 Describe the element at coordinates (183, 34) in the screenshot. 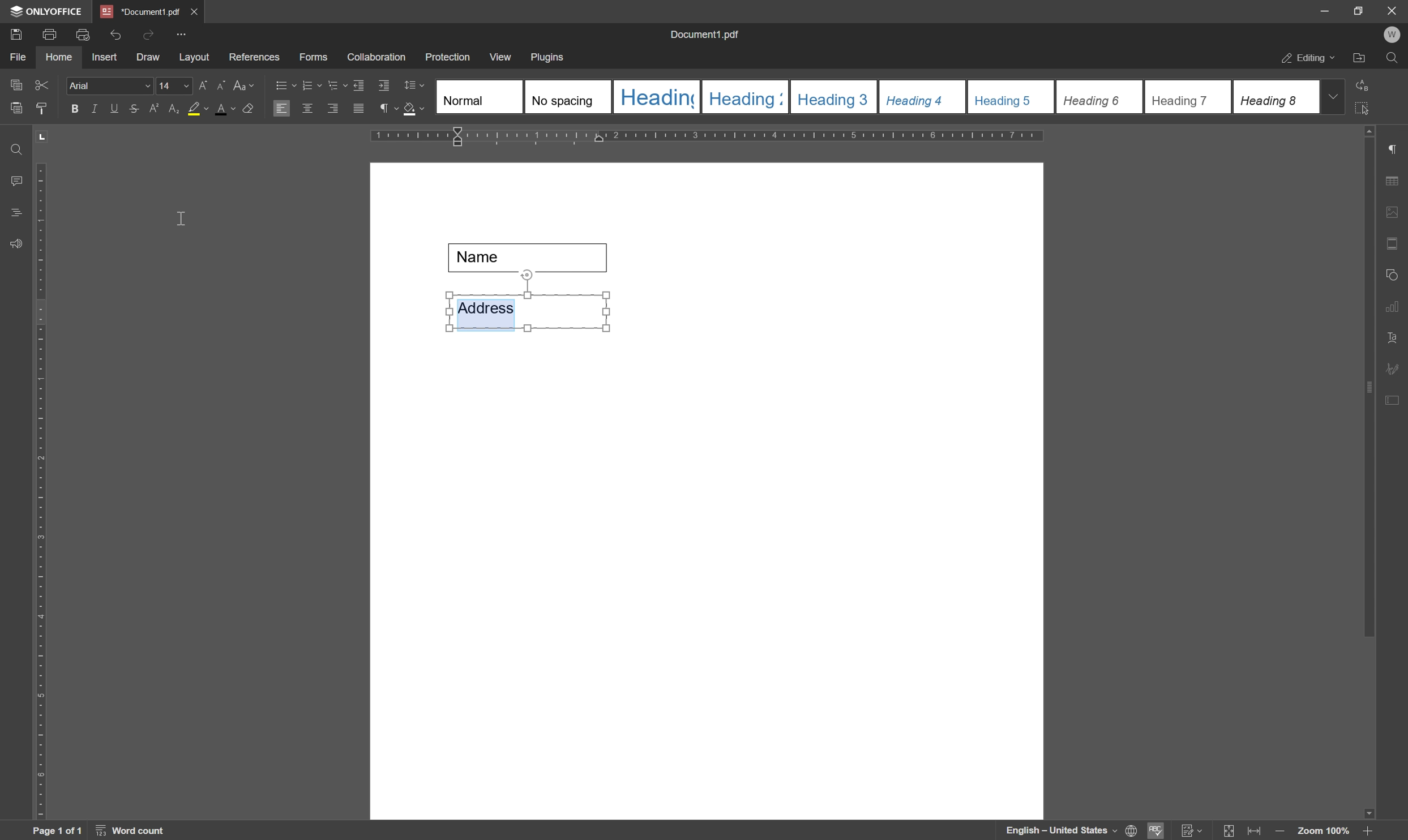

I see `customize quick access toolbar` at that location.